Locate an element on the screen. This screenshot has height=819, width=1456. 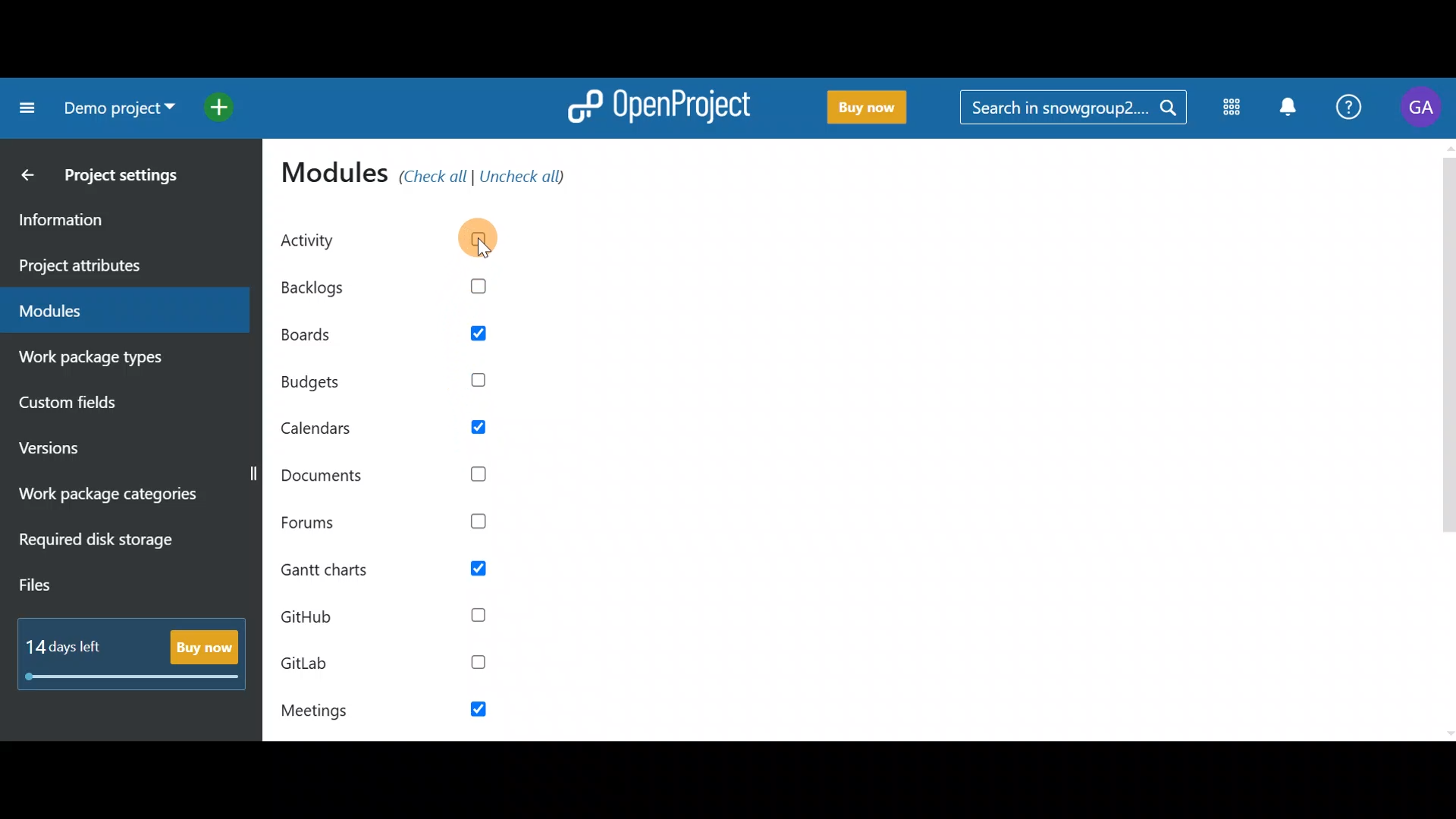
Files is located at coordinates (79, 588).